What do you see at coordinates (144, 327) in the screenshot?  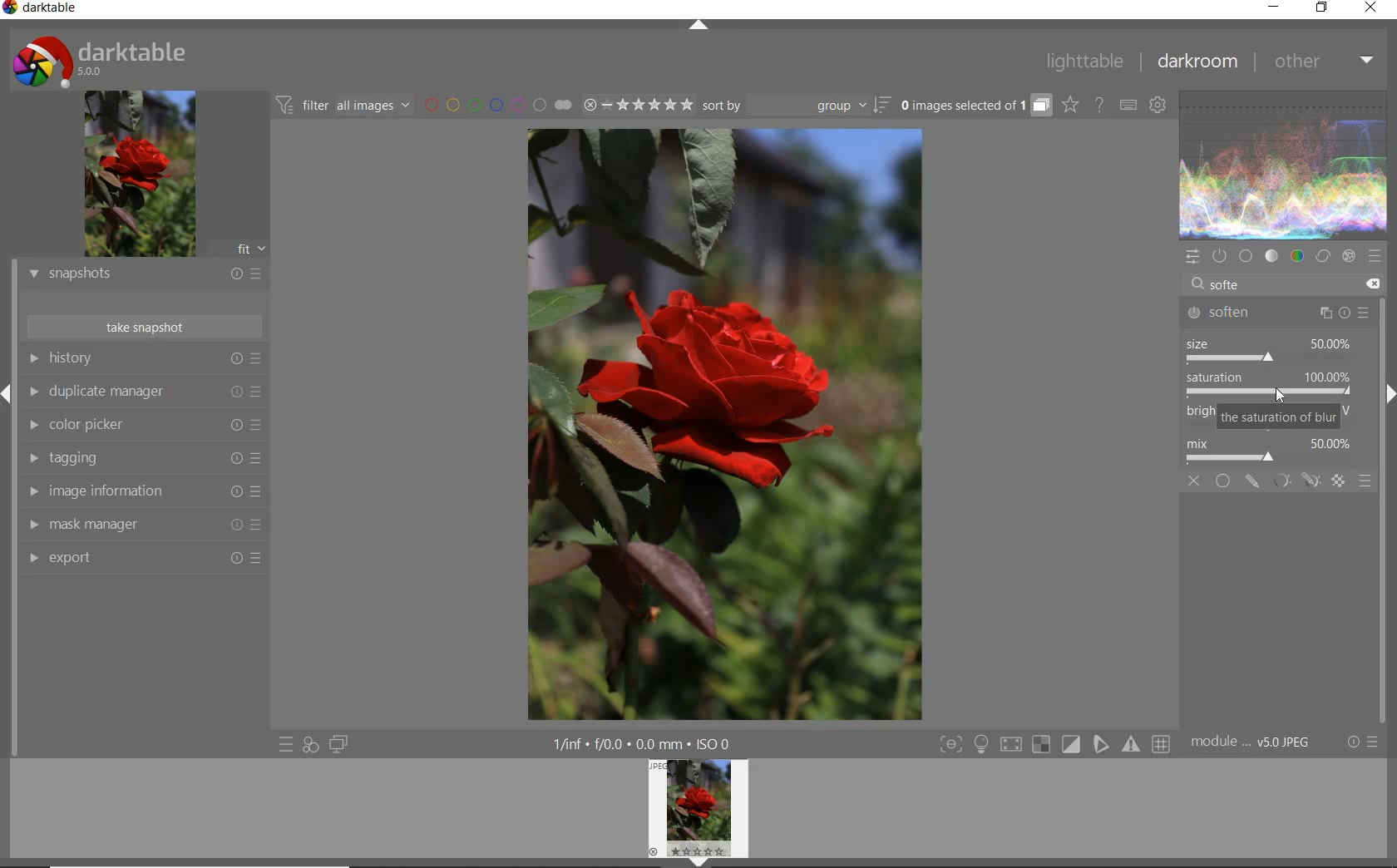 I see `take snapshot` at bounding box center [144, 327].